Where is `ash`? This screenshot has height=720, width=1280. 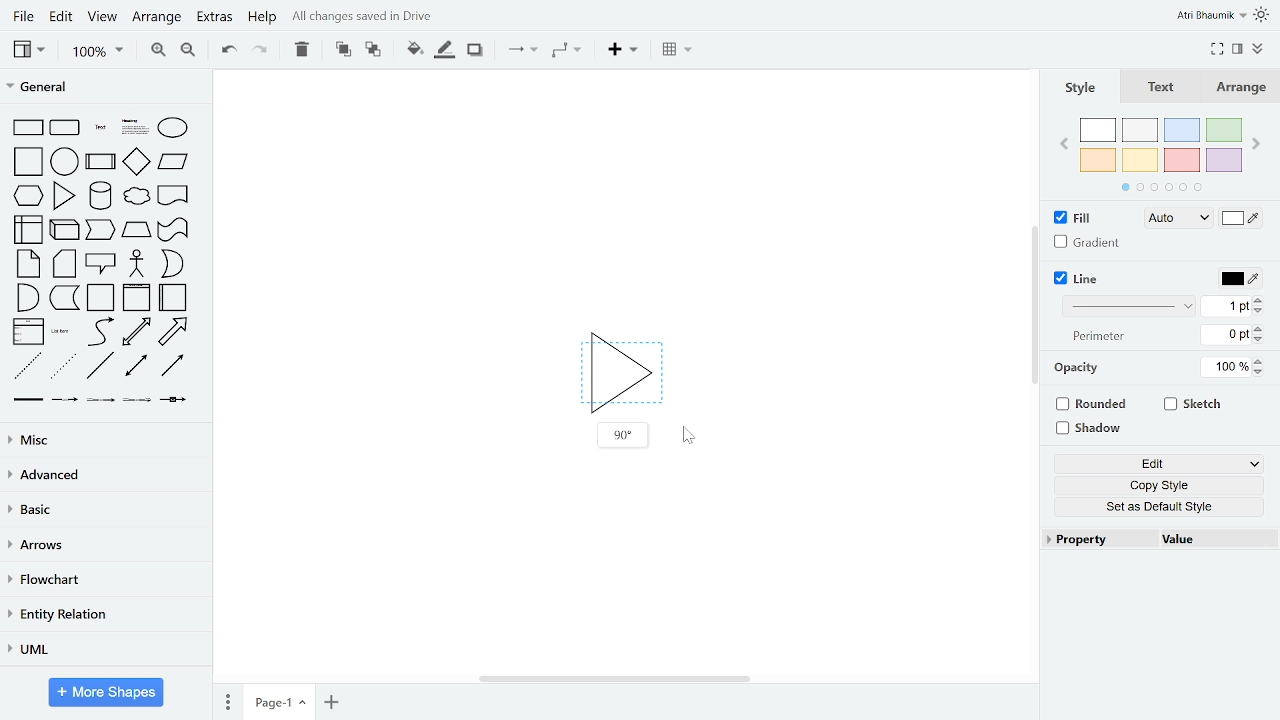
ash is located at coordinates (1140, 130).